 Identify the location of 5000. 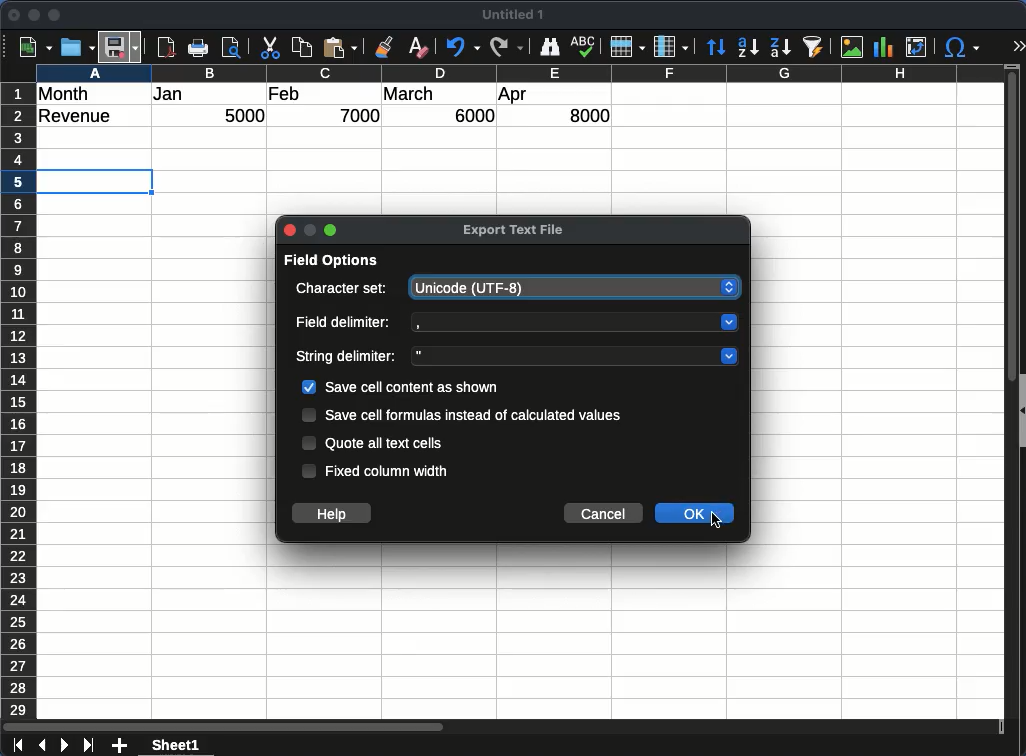
(247, 117).